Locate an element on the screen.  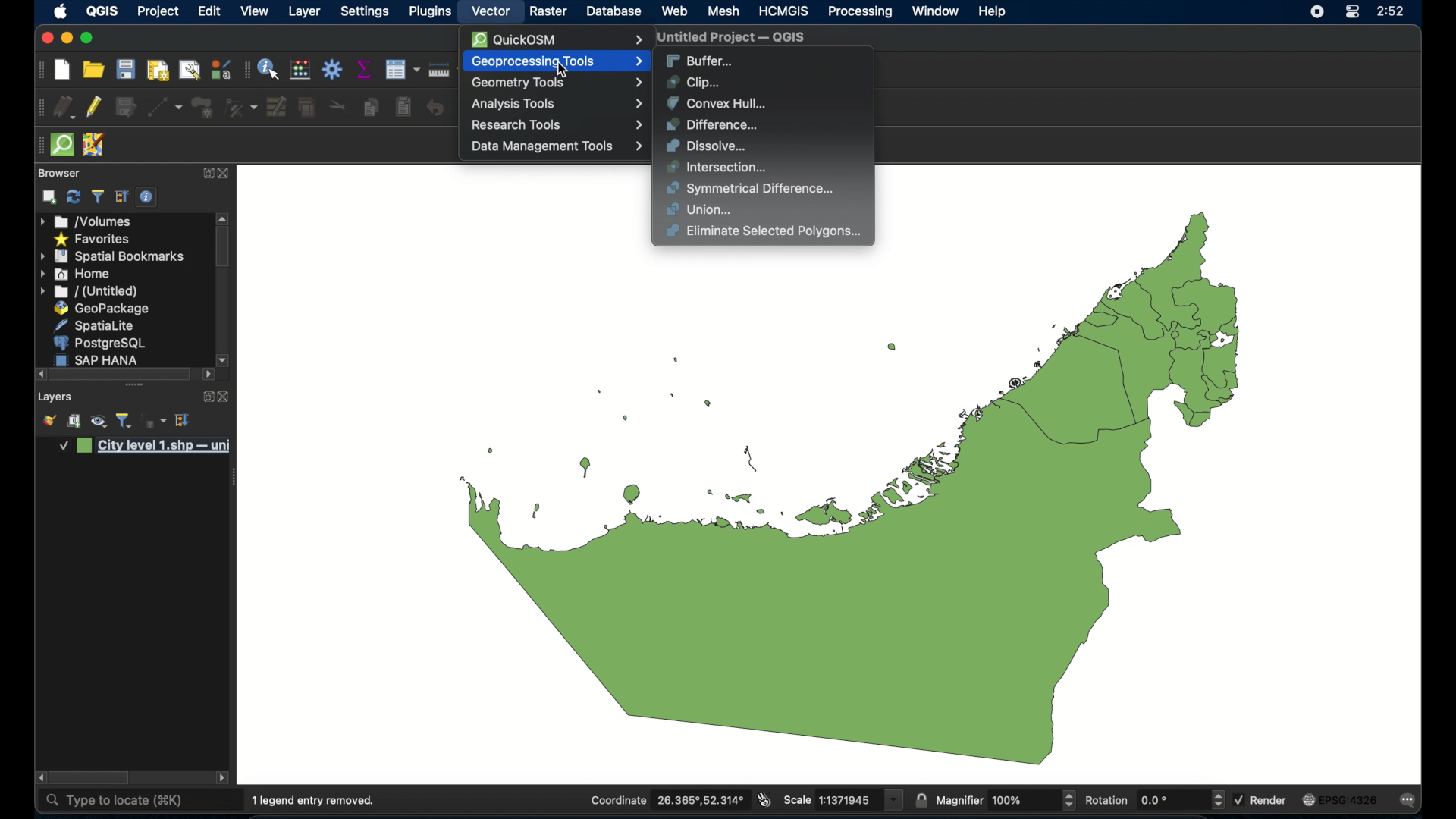
open layer styling panel is located at coordinates (49, 422).